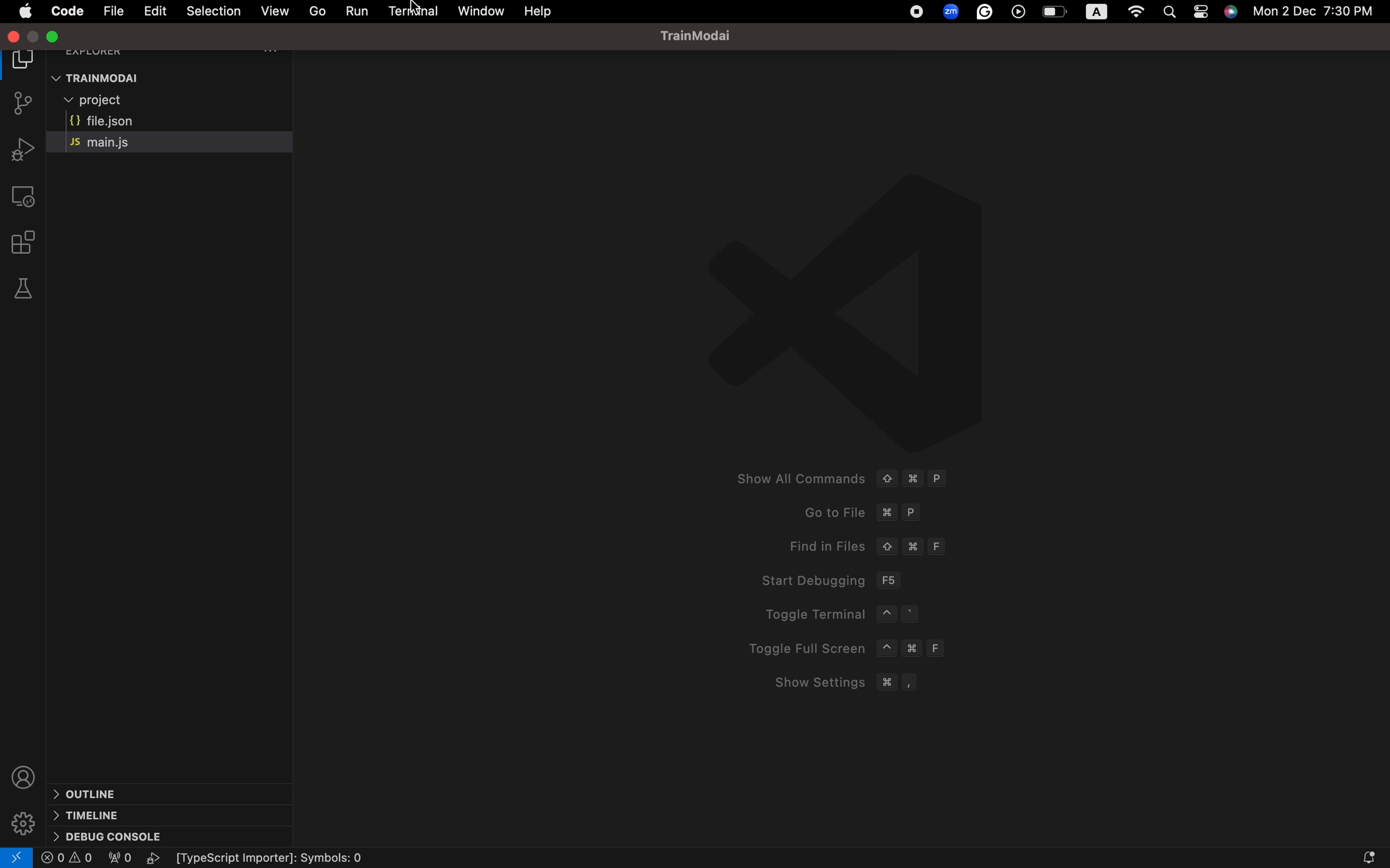 This screenshot has height=868, width=1390. Describe the element at coordinates (1136, 13) in the screenshot. I see `Wifi` at that location.